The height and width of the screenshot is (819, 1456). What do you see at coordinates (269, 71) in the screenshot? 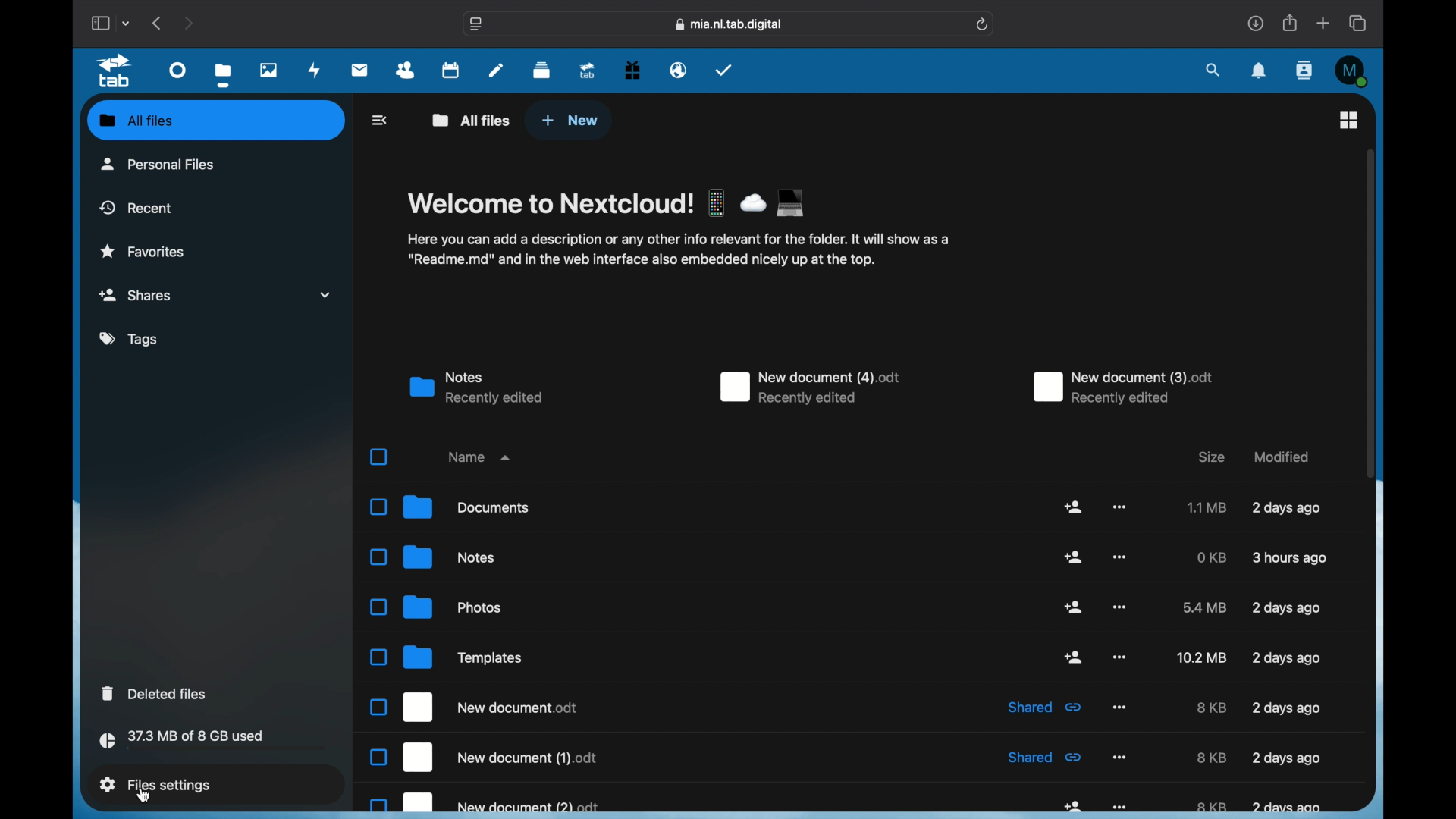
I see `photos` at bounding box center [269, 71].